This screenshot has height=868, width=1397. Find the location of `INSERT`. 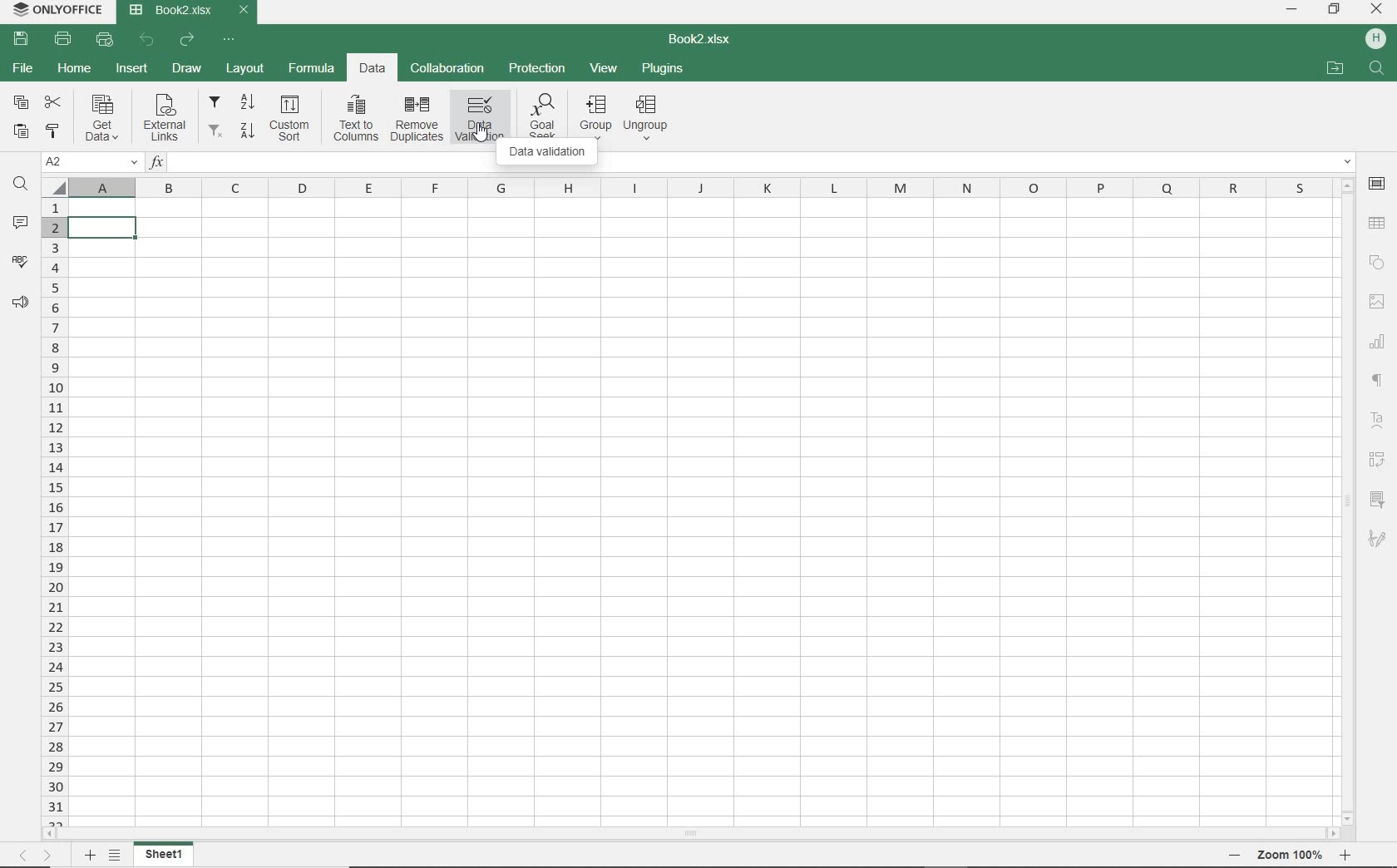

INSERT is located at coordinates (133, 66).